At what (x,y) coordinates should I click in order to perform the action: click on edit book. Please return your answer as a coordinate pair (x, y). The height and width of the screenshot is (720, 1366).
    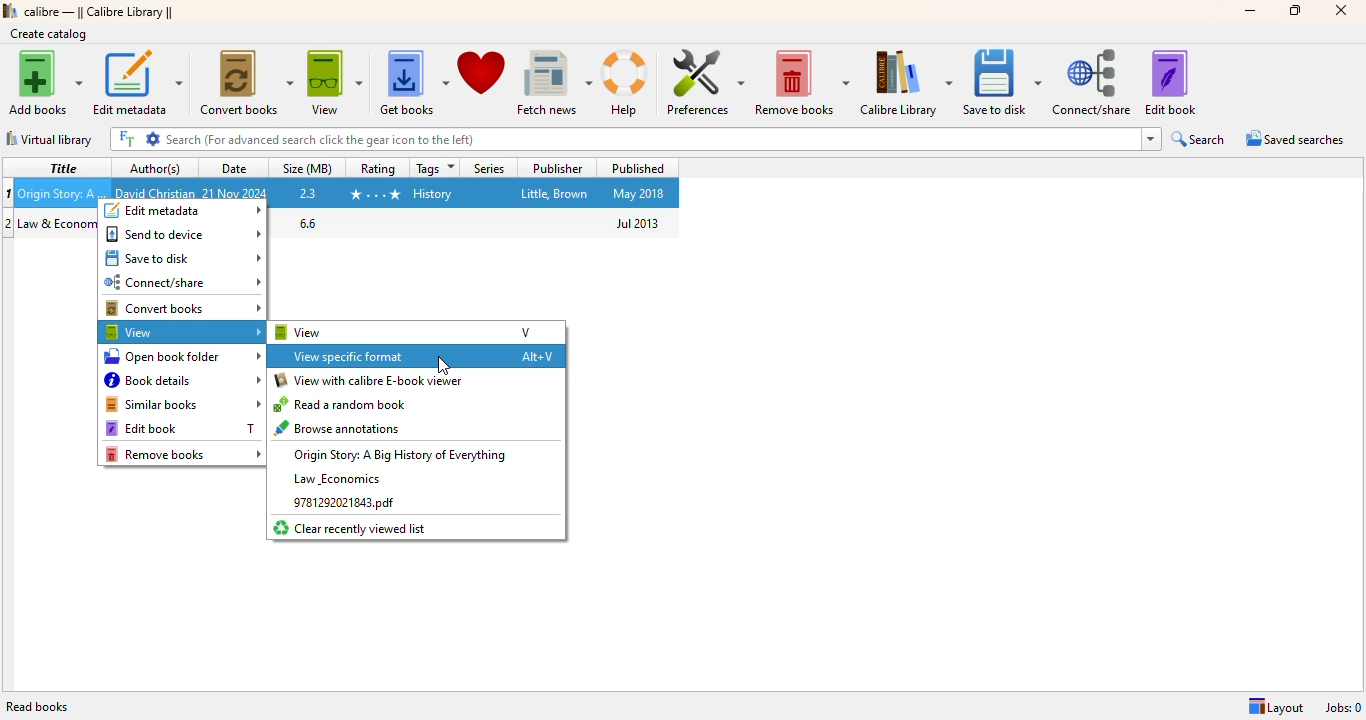
    Looking at the image, I should click on (1170, 83).